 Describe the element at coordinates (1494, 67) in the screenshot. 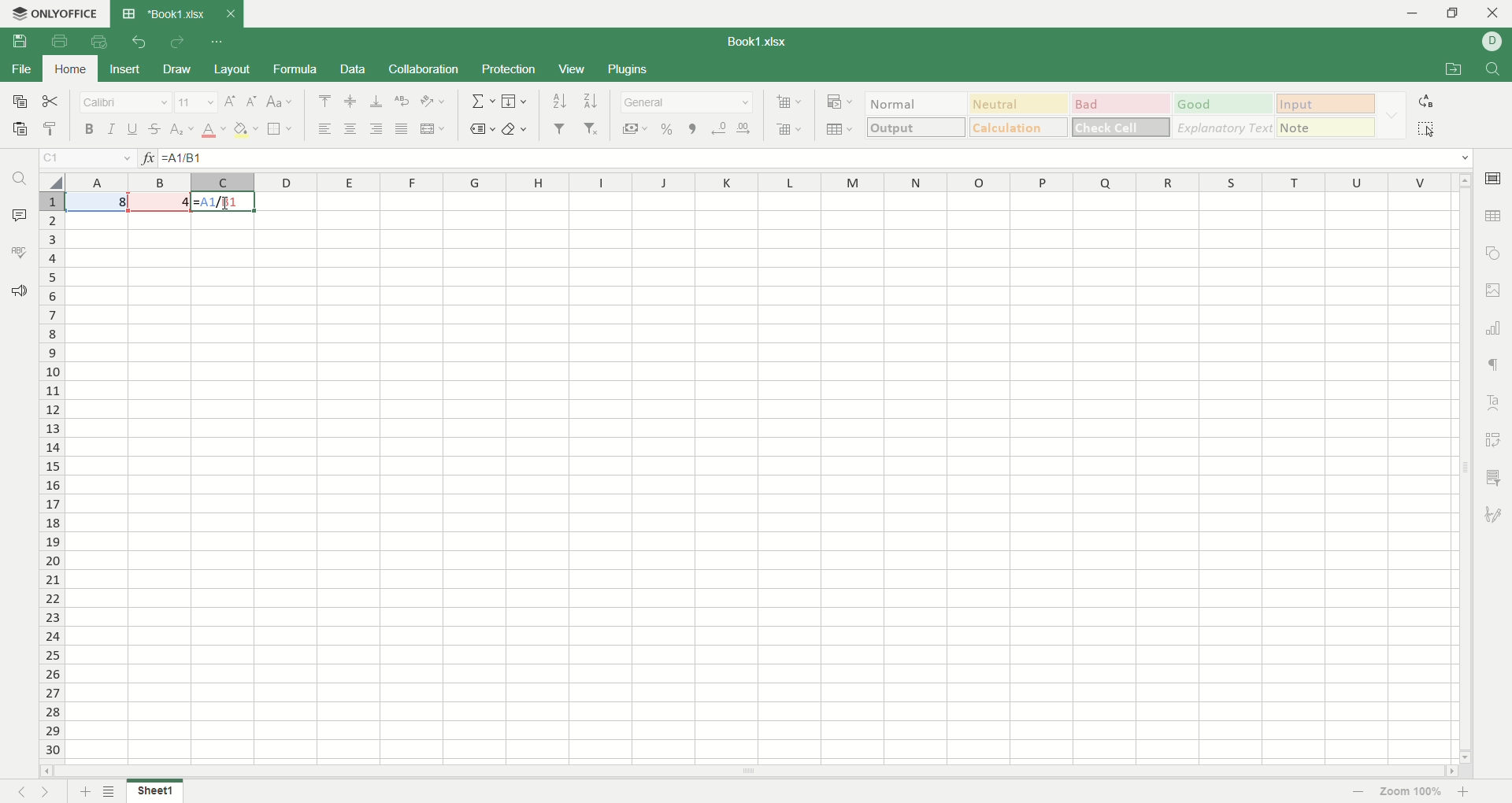

I see `find` at that location.